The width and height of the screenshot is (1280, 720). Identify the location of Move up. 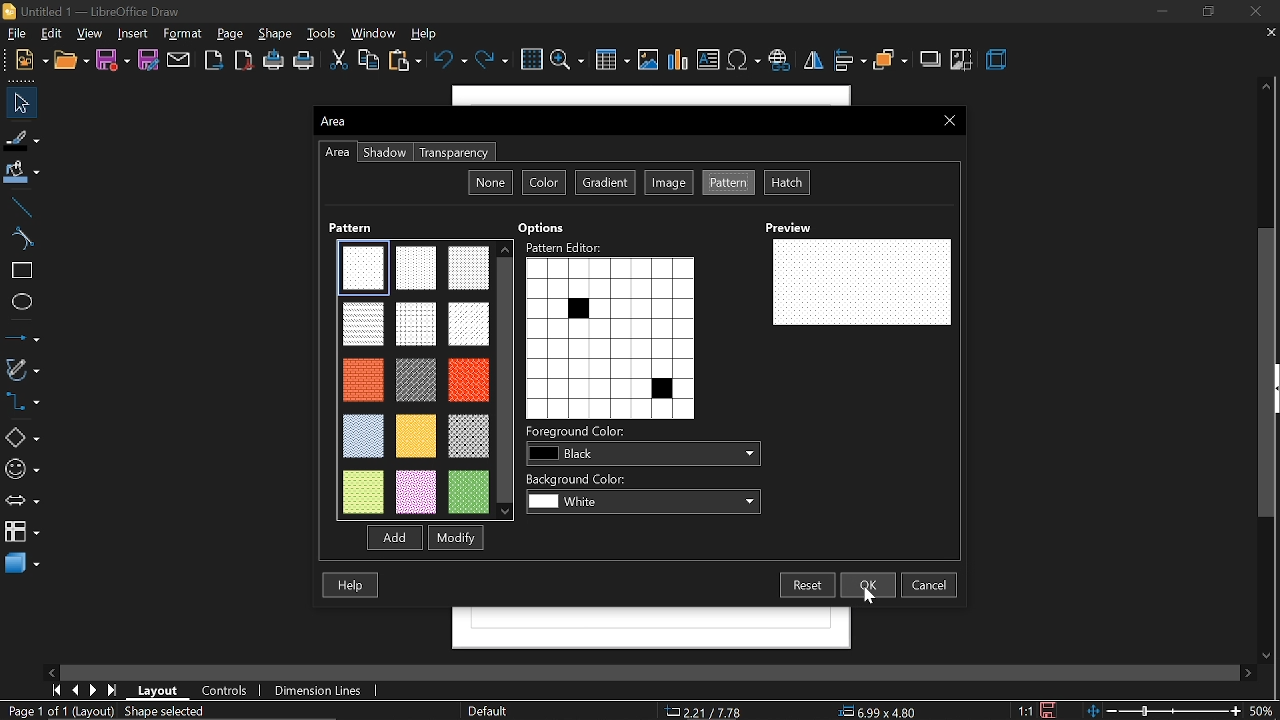
(1266, 86).